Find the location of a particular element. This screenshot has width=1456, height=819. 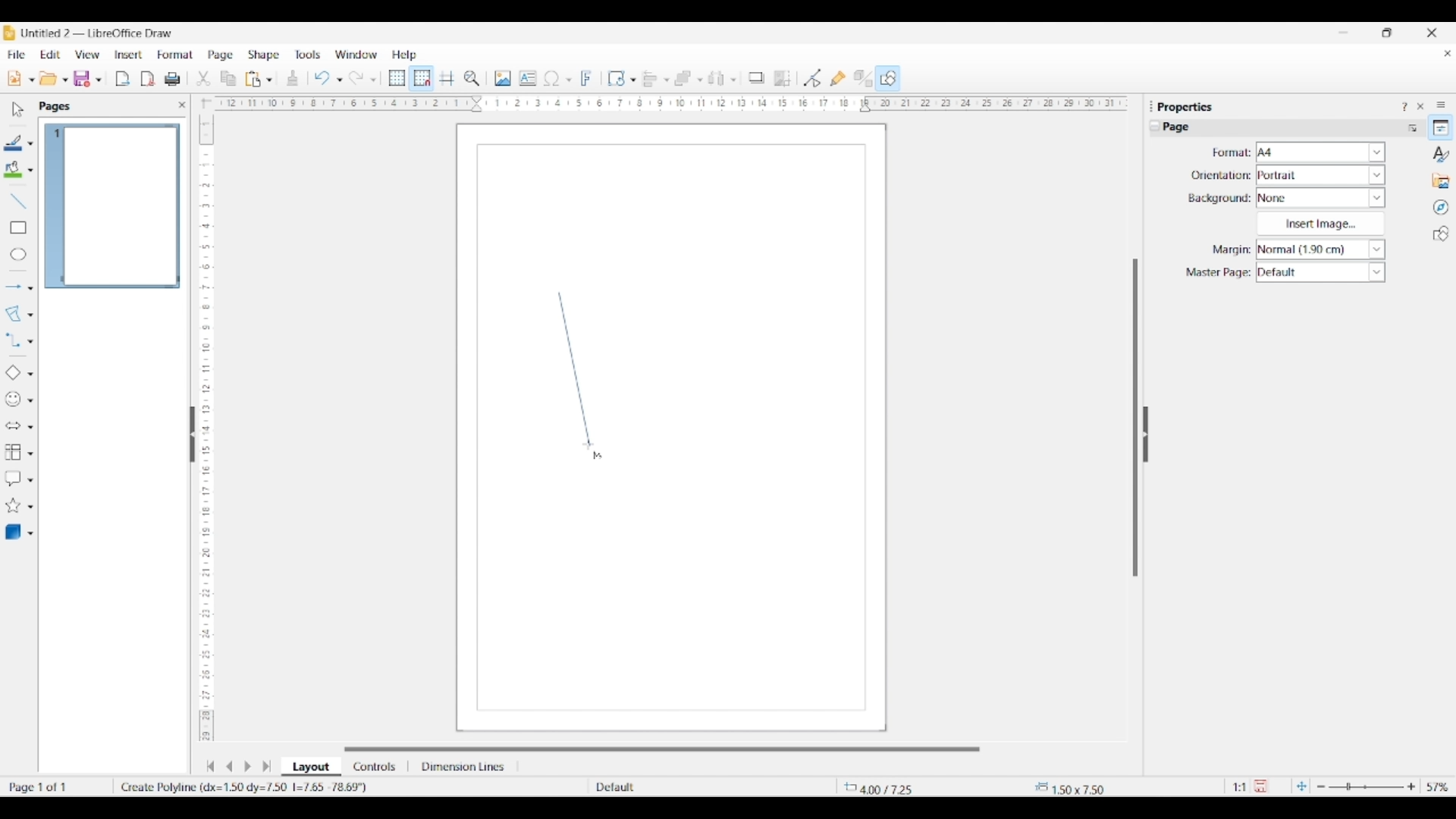

Hide left sidebar is located at coordinates (193, 435).